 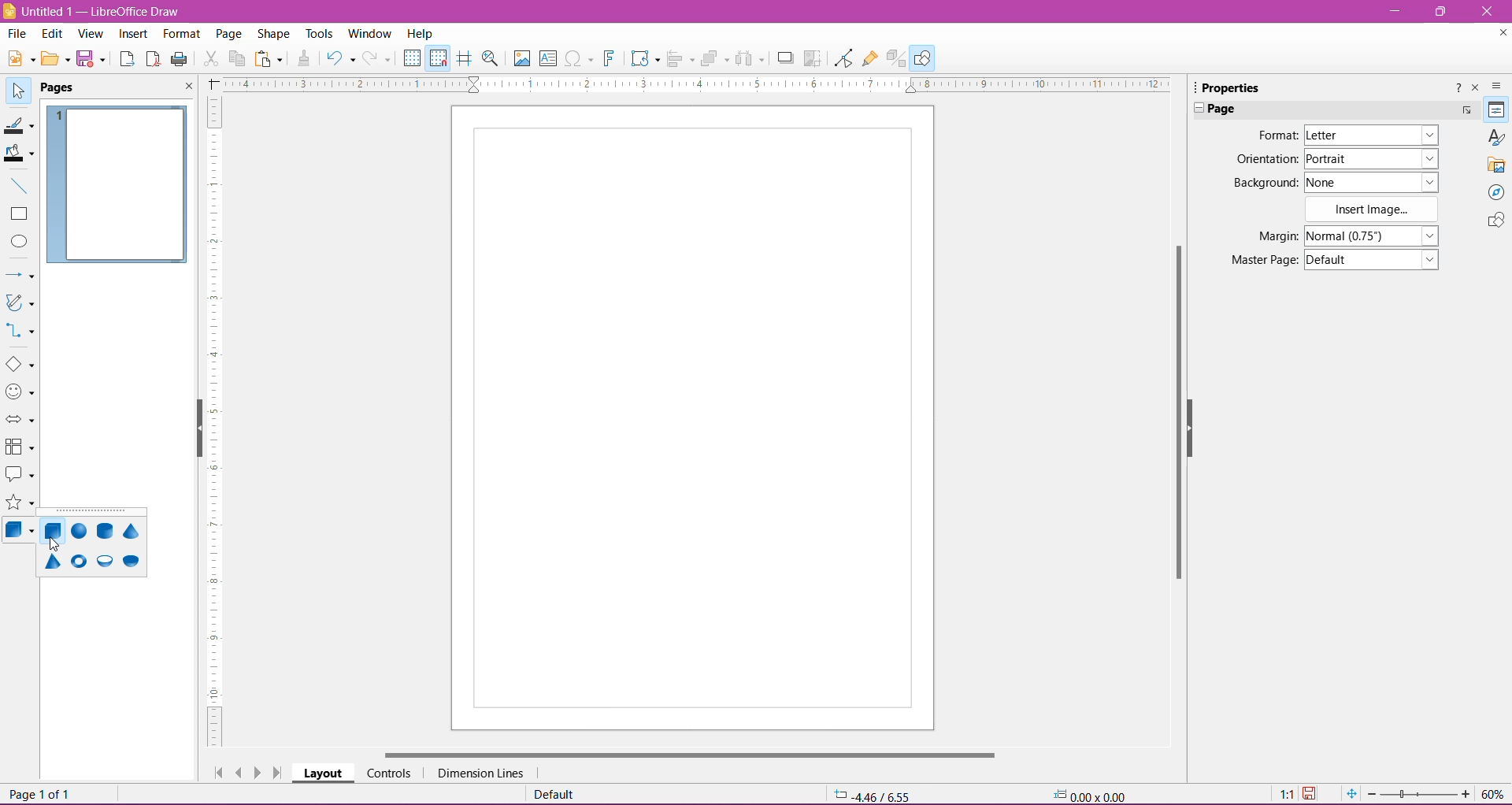 I want to click on Cone, so click(x=132, y=531).